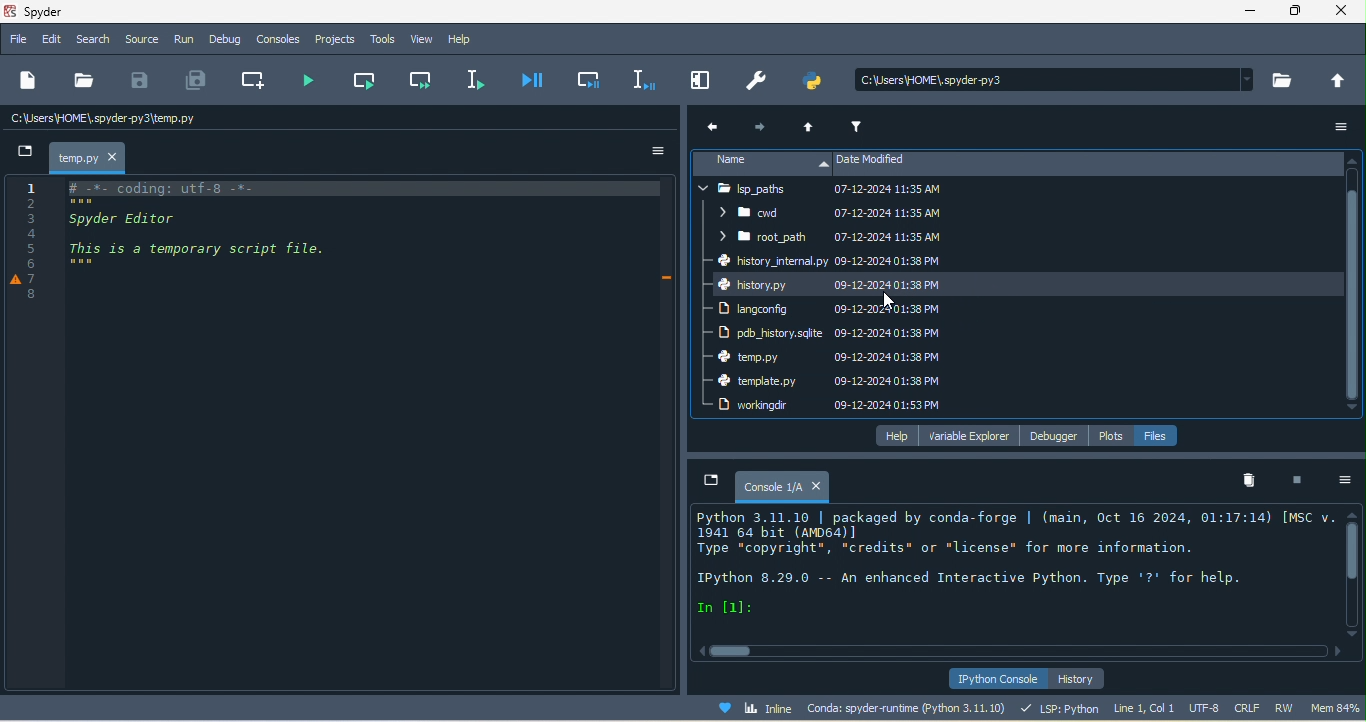  What do you see at coordinates (1350, 280) in the screenshot?
I see `vertical scroll bar` at bounding box center [1350, 280].